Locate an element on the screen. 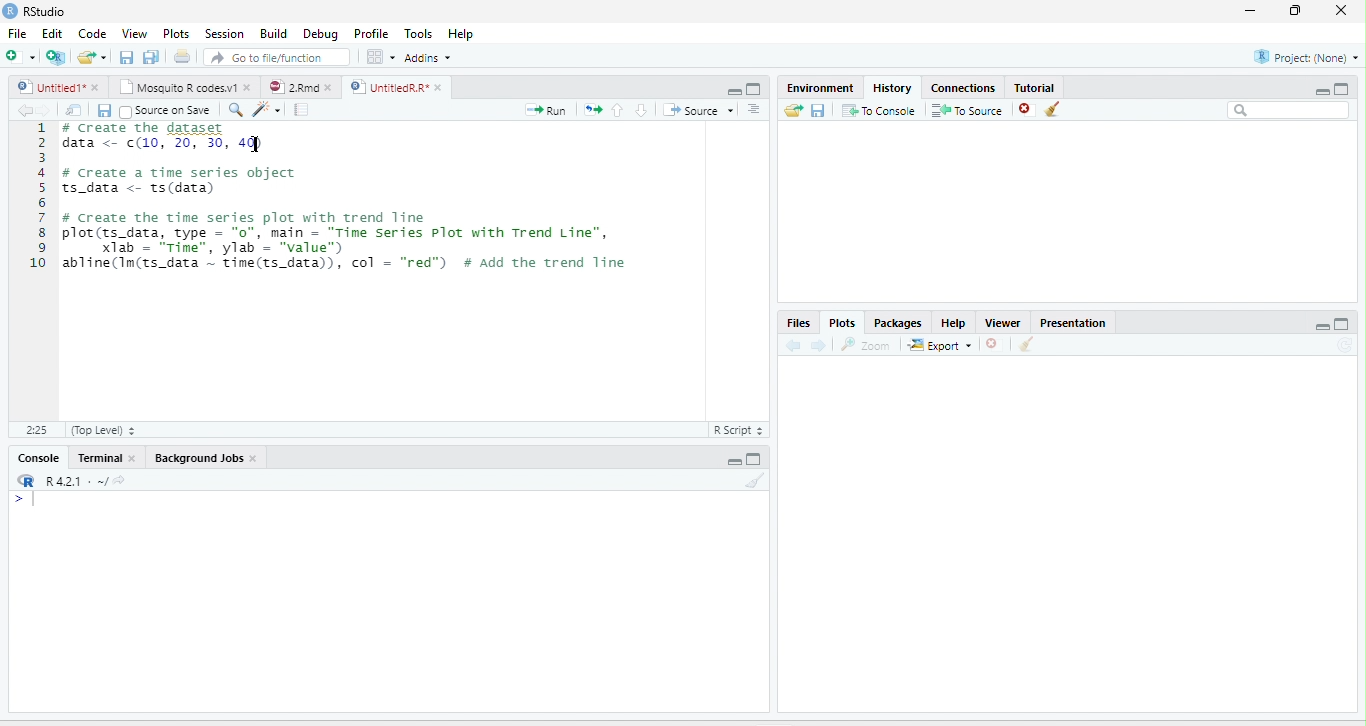 The height and width of the screenshot is (726, 1366). Show document outline is located at coordinates (754, 109).